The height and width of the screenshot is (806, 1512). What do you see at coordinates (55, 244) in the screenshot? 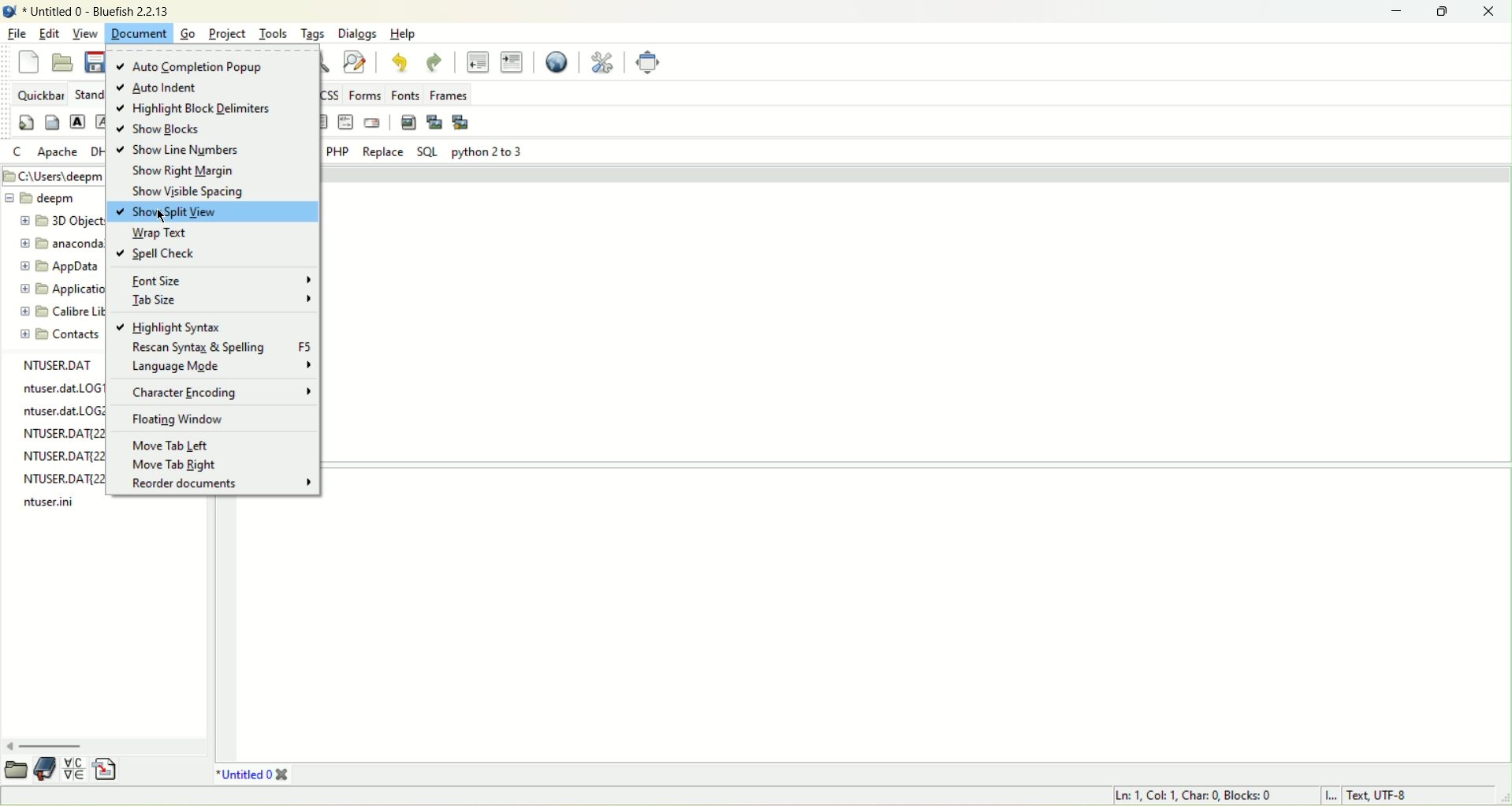
I see `folder name` at bounding box center [55, 244].